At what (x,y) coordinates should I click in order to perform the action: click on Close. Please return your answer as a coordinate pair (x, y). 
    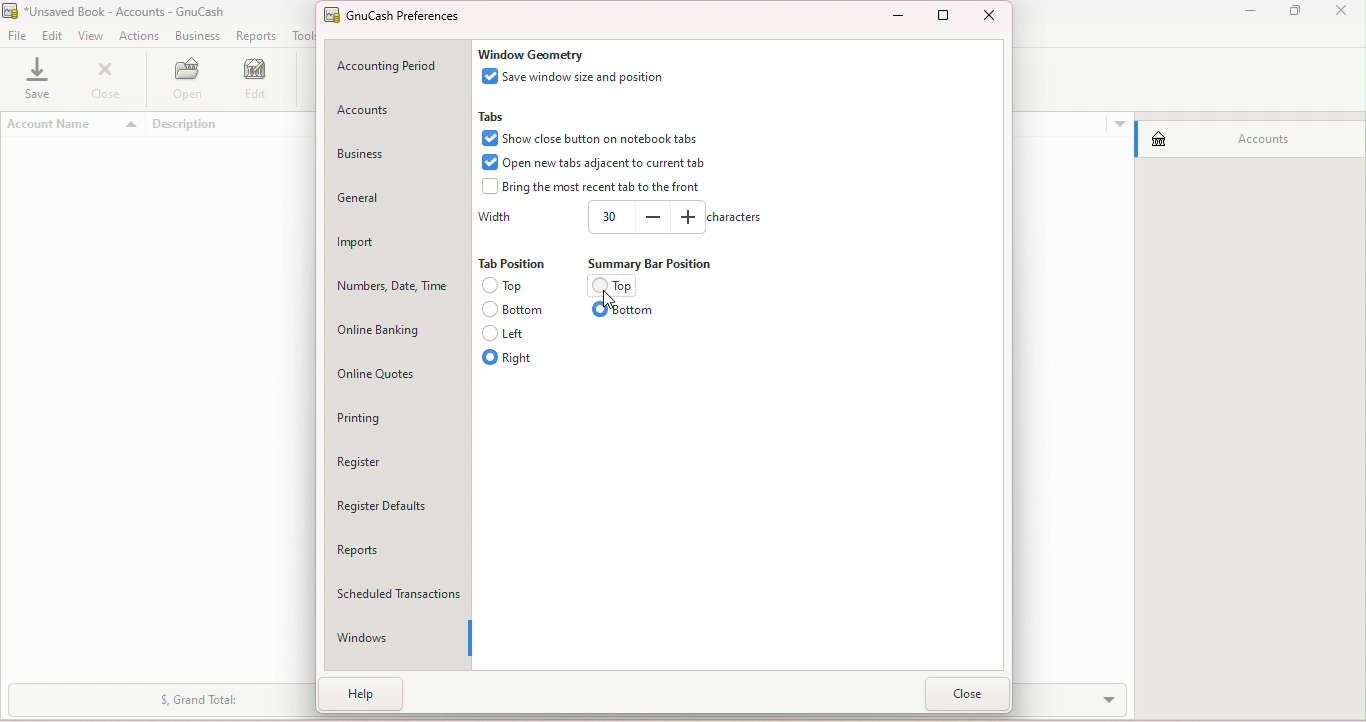
    Looking at the image, I should click on (969, 692).